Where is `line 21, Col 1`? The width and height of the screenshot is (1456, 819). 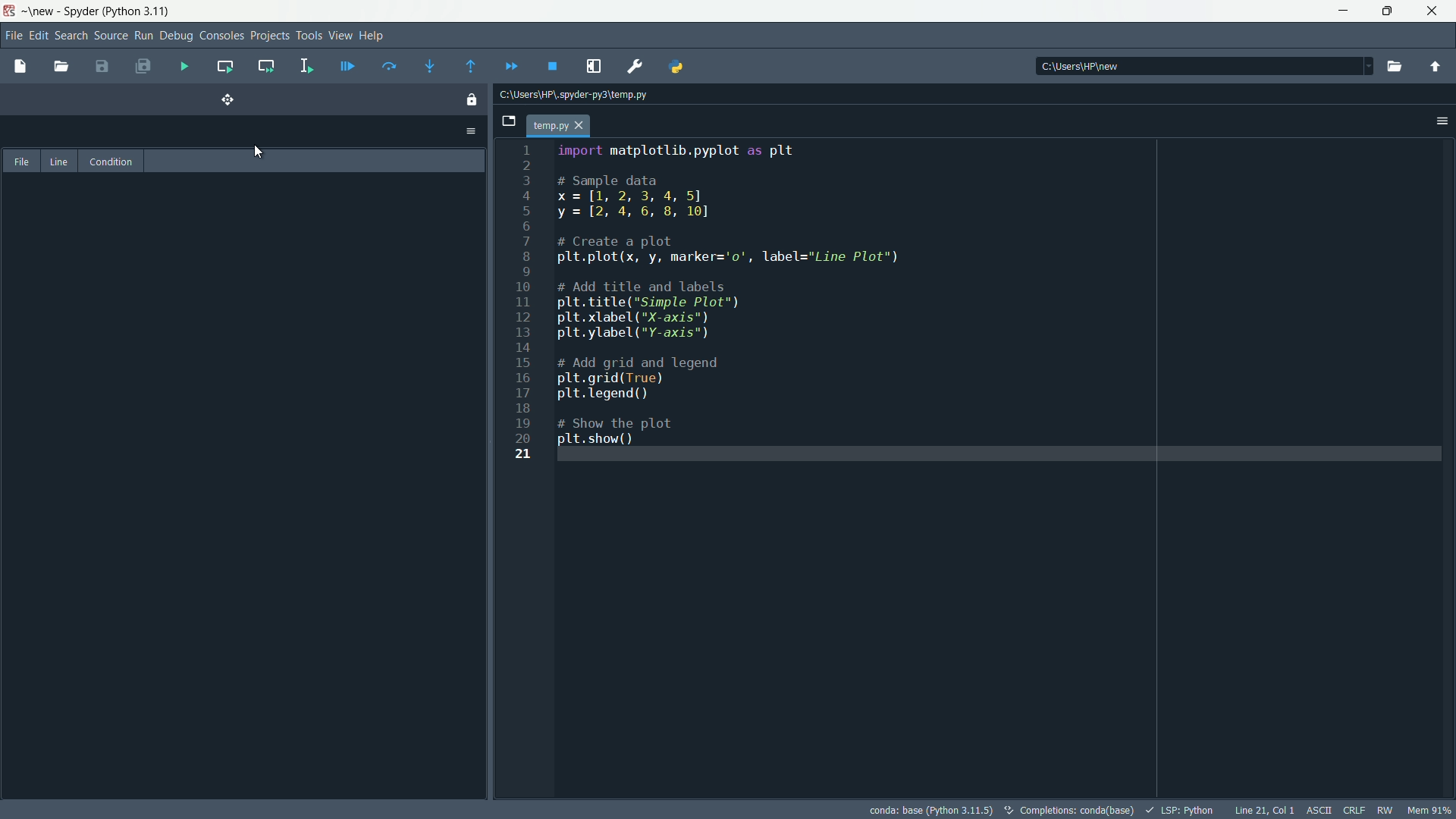
line 21, Col 1 is located at coordinates (1263, 810).